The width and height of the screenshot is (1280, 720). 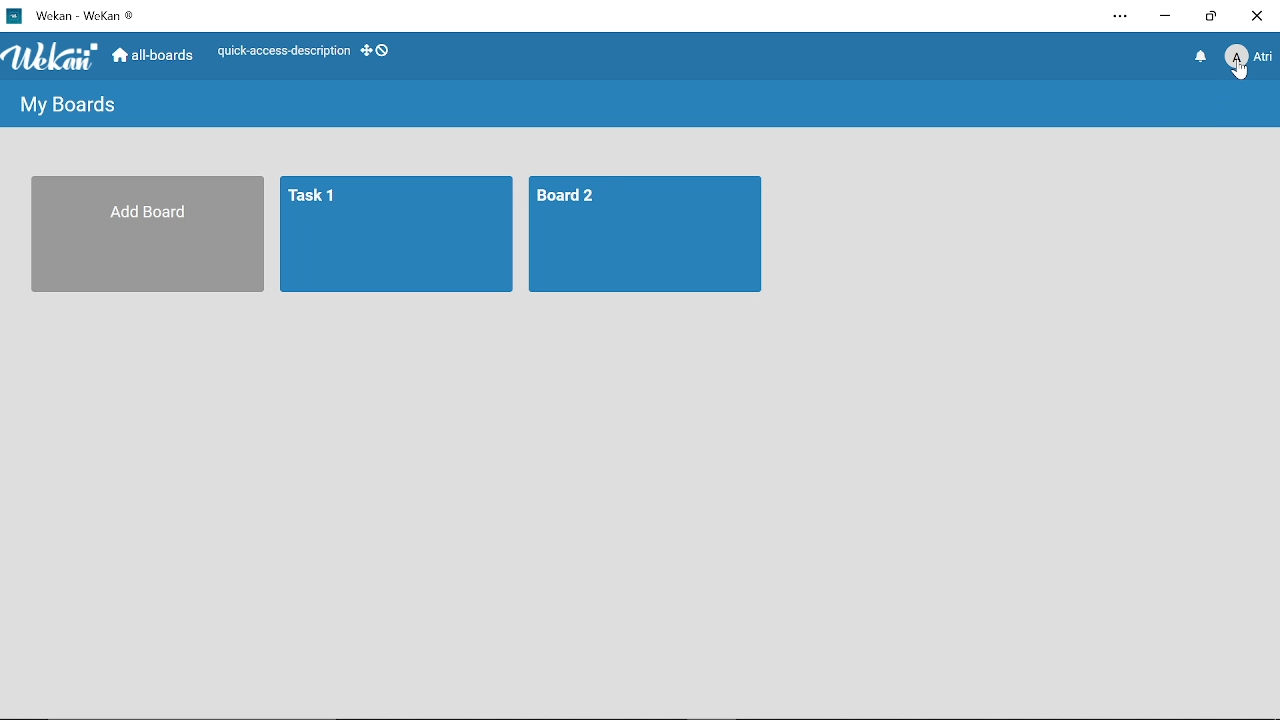 I want to click on Show desktop drag handles, so click(x=380, y=53).